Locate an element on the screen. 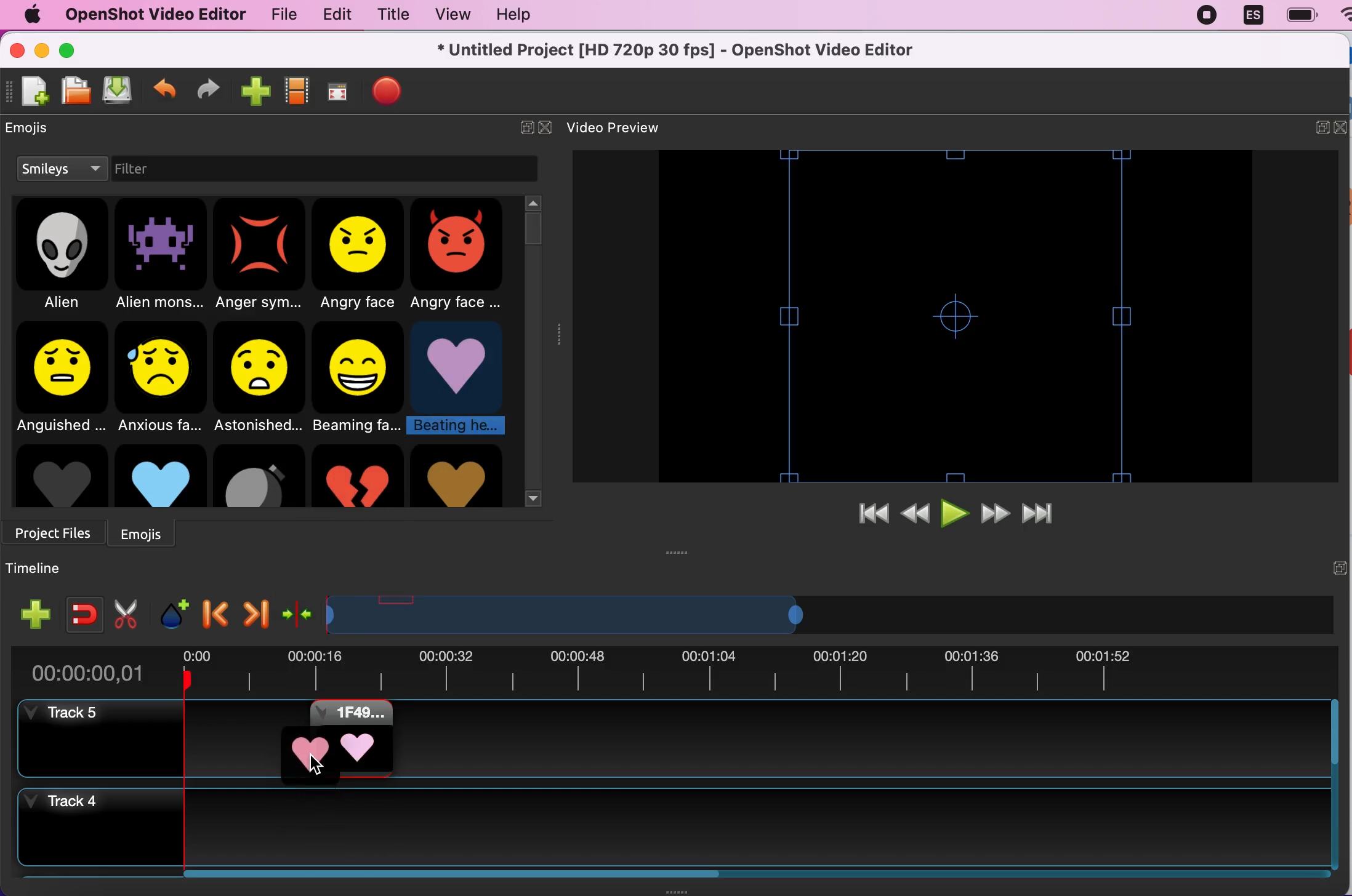  center the timeline is located at coordinates (298, 611).